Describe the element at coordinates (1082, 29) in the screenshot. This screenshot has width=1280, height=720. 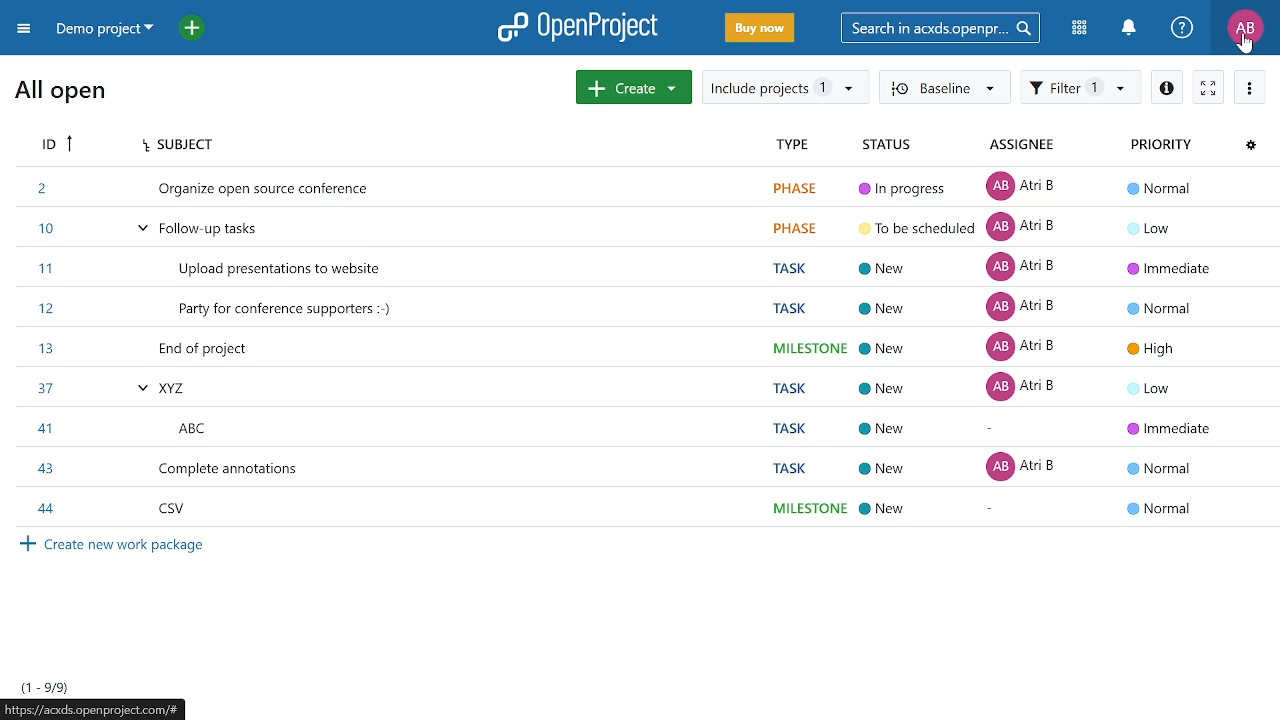
I see `Modules` at that location.